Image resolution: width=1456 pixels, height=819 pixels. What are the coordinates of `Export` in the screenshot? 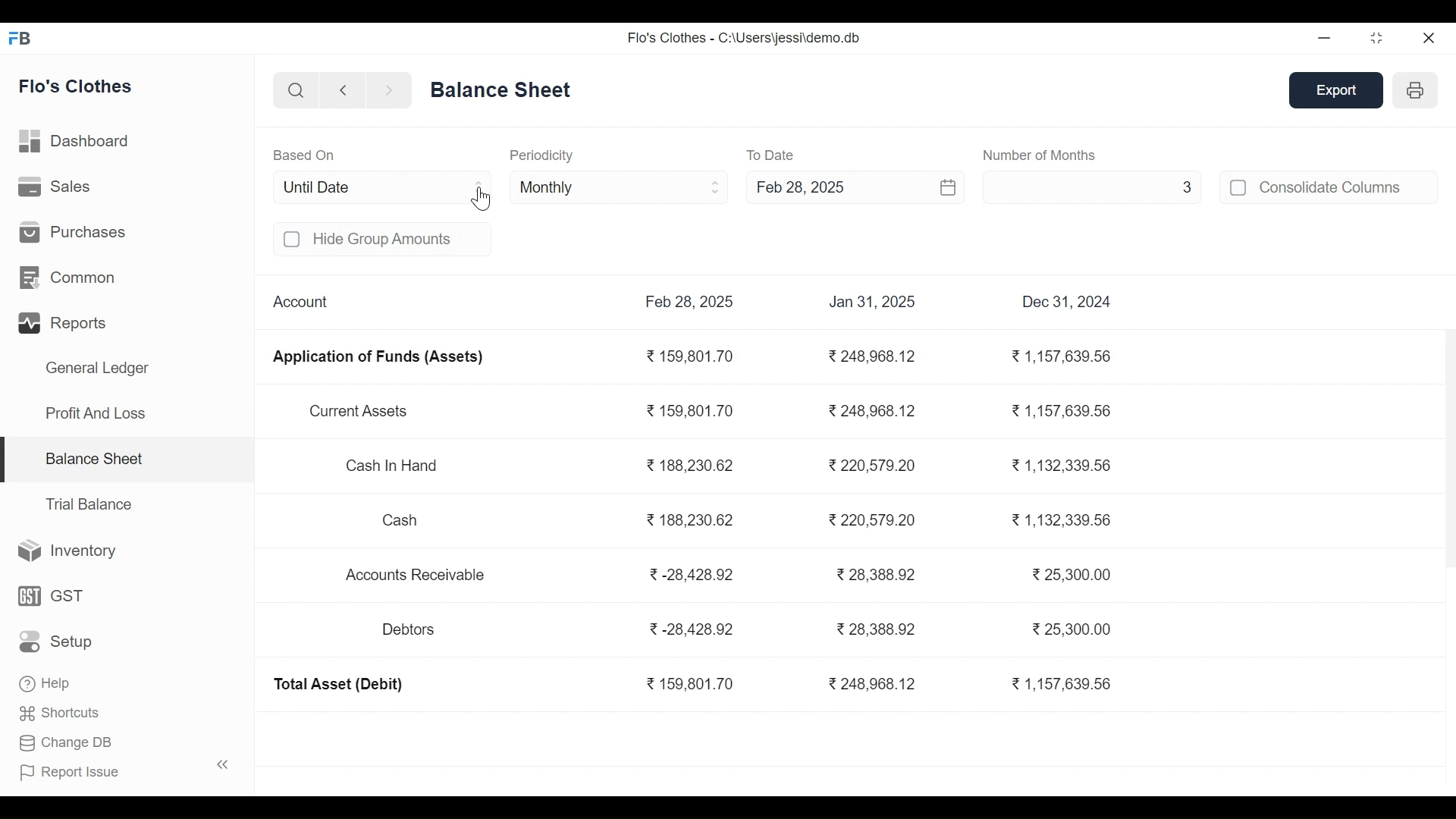 It's located at (1338, 91).